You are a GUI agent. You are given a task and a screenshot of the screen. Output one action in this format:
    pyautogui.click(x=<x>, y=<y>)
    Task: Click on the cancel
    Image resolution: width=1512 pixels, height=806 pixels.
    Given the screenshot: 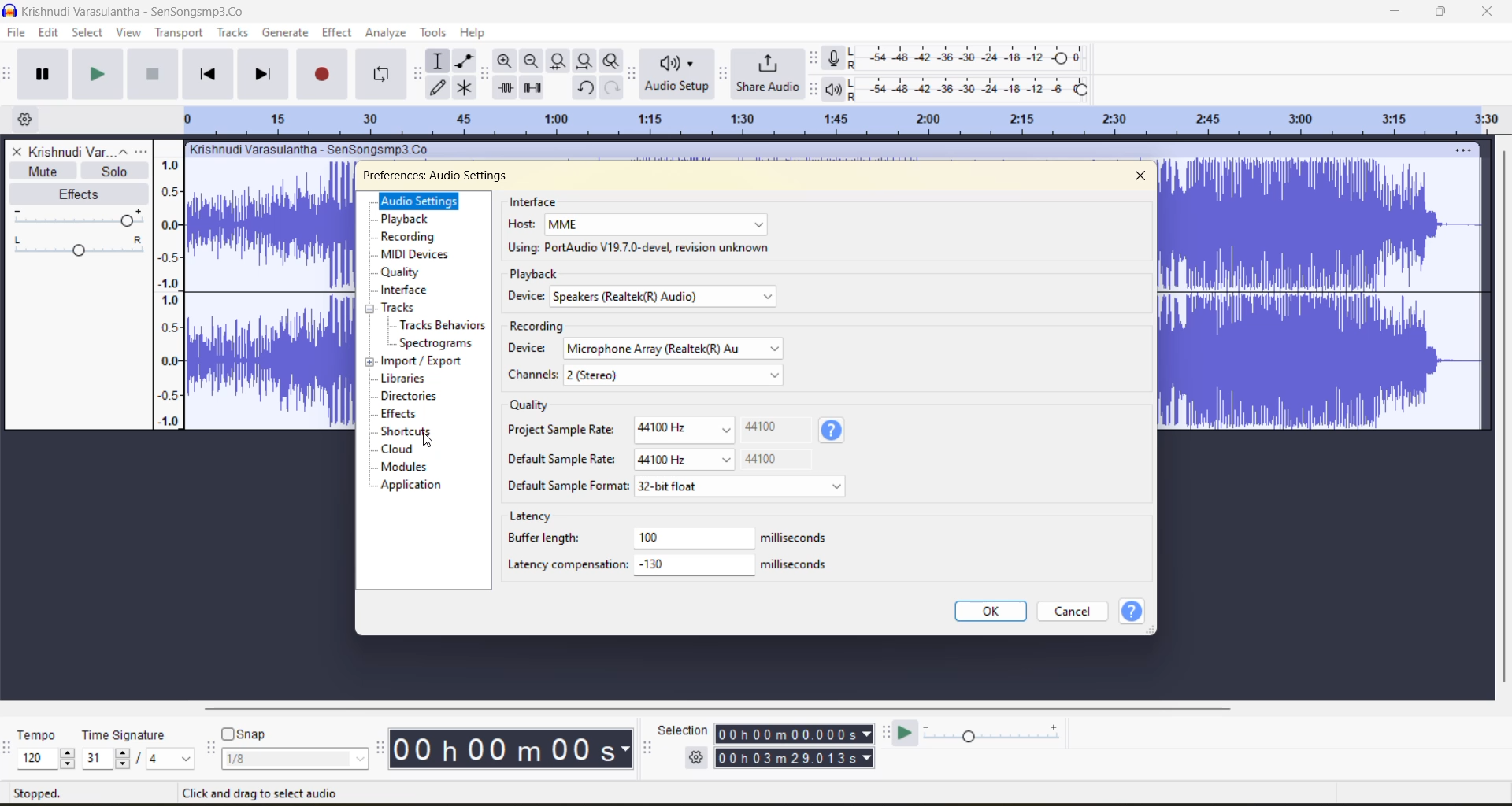 What is the action you would take?
    pyautogui.click(x=1080, y=613)
    